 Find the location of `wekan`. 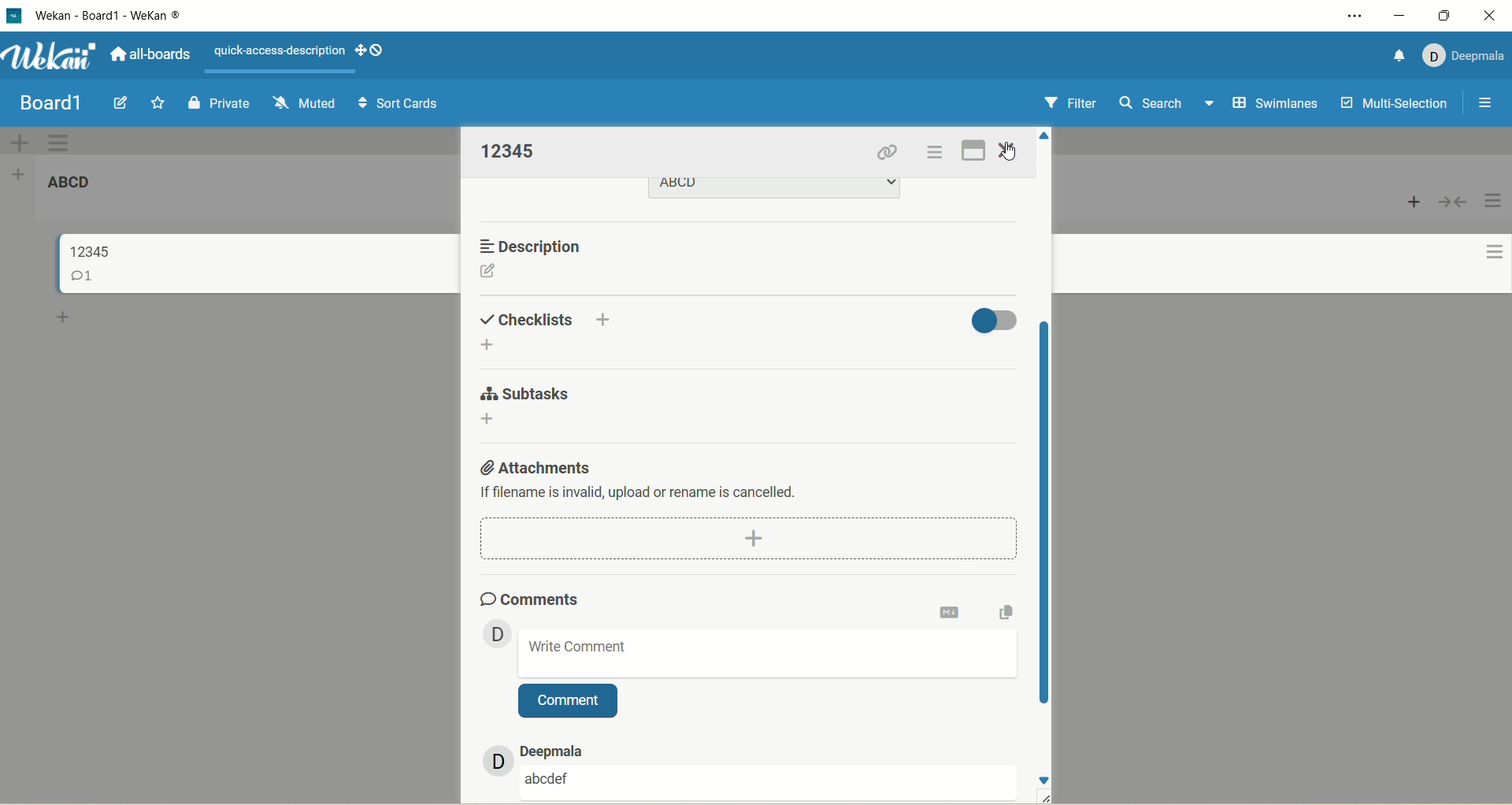

wekan is located at coordinates (51, 58).